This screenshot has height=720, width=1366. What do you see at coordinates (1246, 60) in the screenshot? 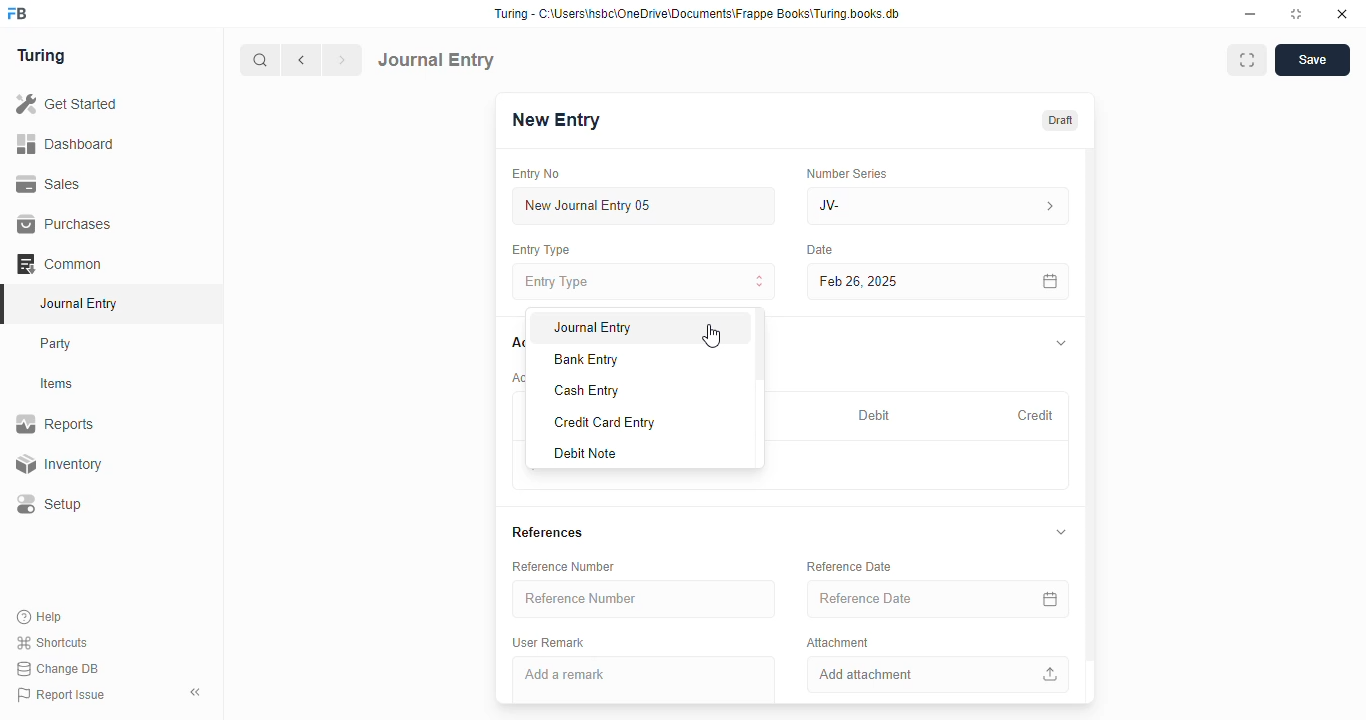
I see `toggle between form and full width` at bounding box center [1246, 60].